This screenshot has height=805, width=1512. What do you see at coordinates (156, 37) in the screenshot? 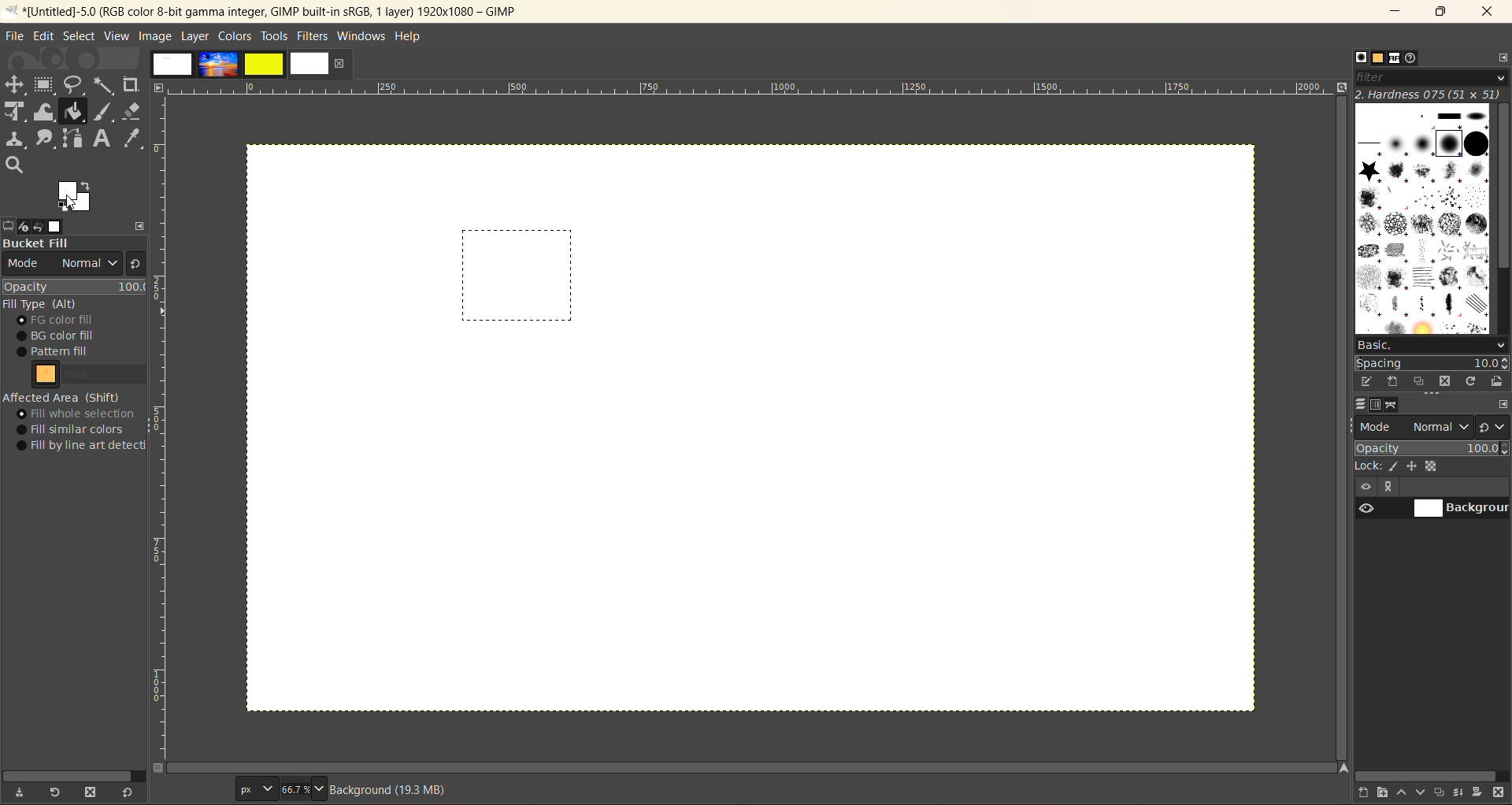
I see `image` at bounding box center [156, 37].